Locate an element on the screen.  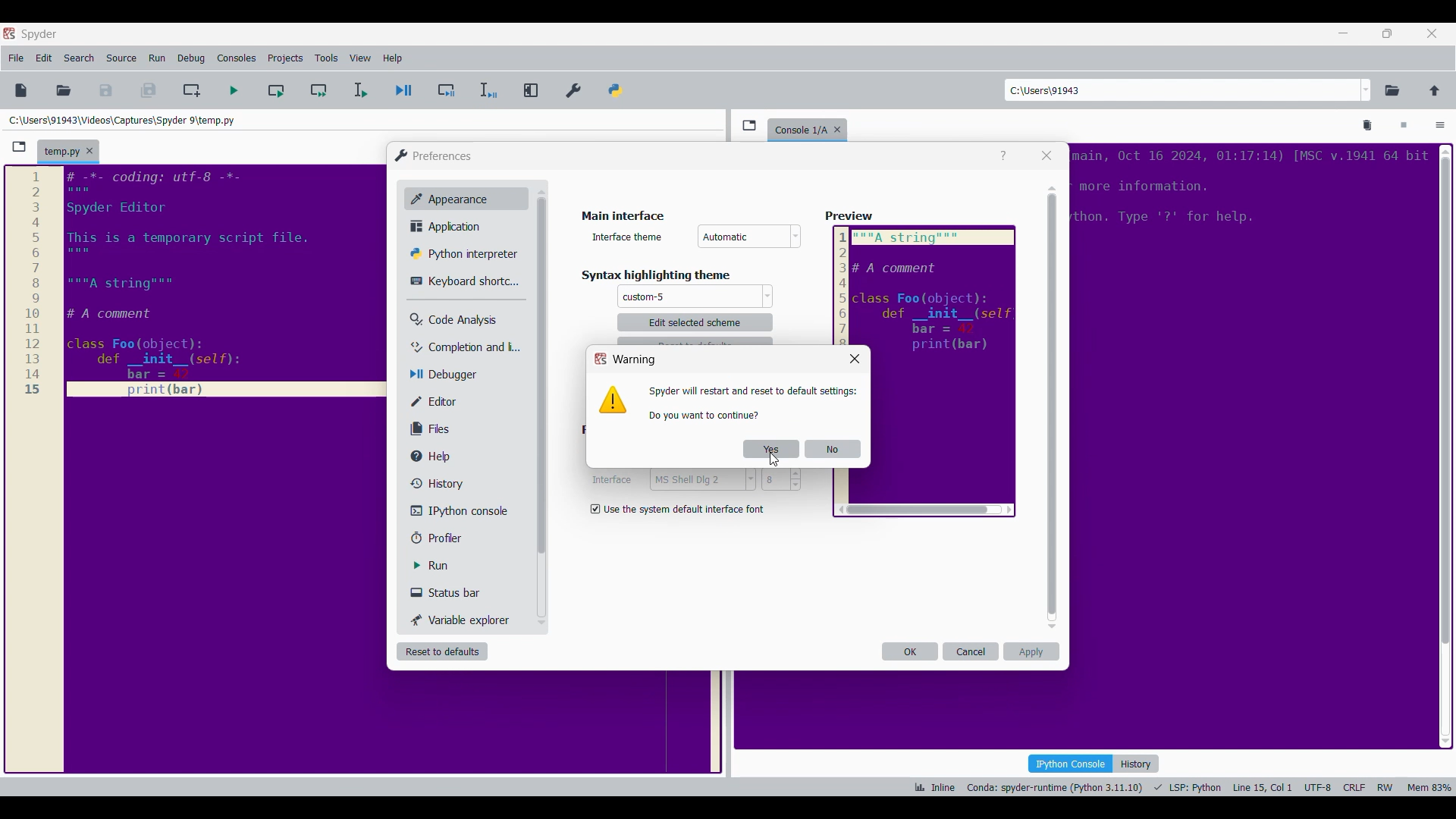
Run current cell and go to next one is located at coordinates (319, 90).